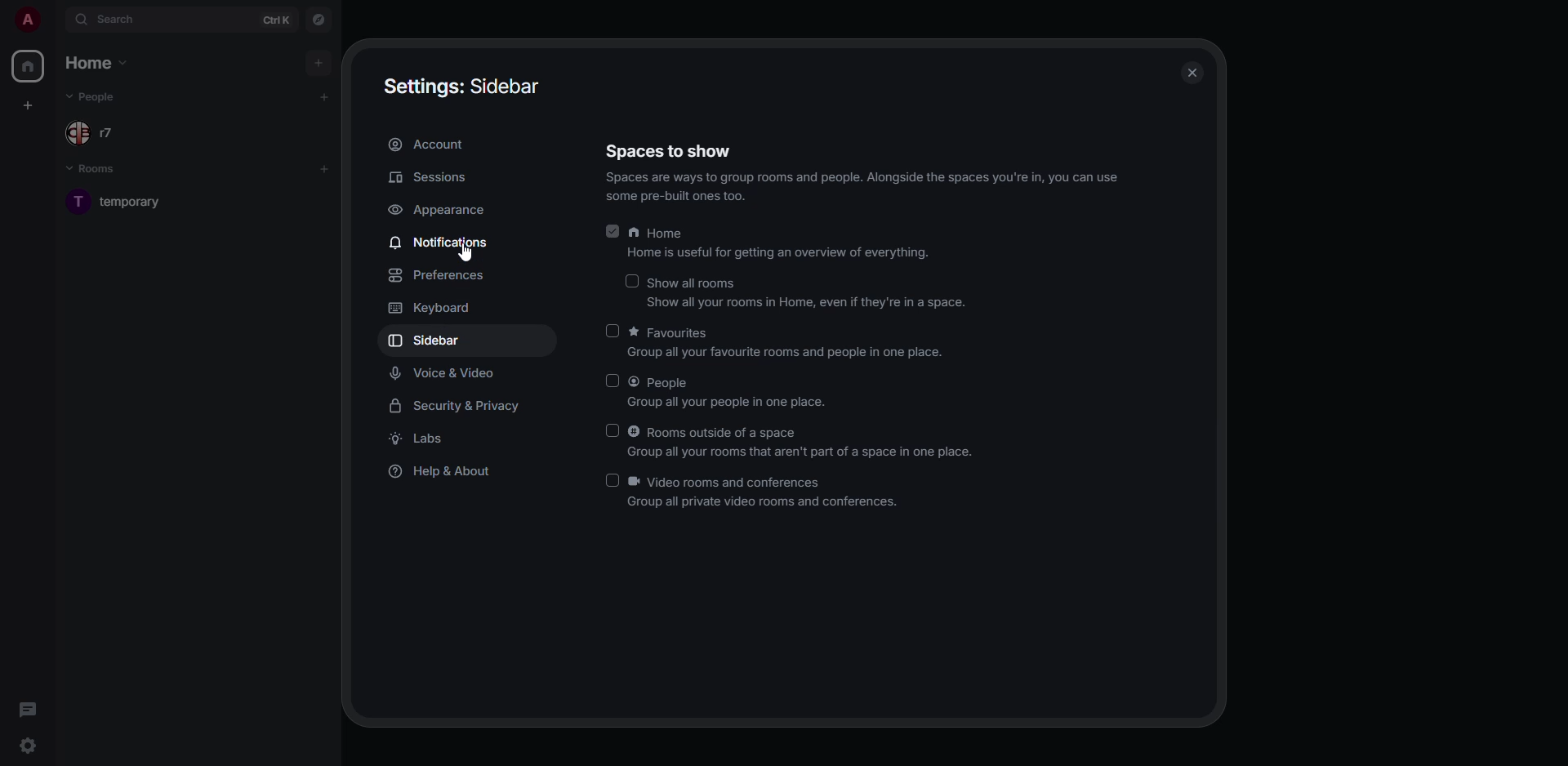  What do you see at coordinates (612, 232) in the screenshot?
I see `enabled` at bounding box center [612, 232].